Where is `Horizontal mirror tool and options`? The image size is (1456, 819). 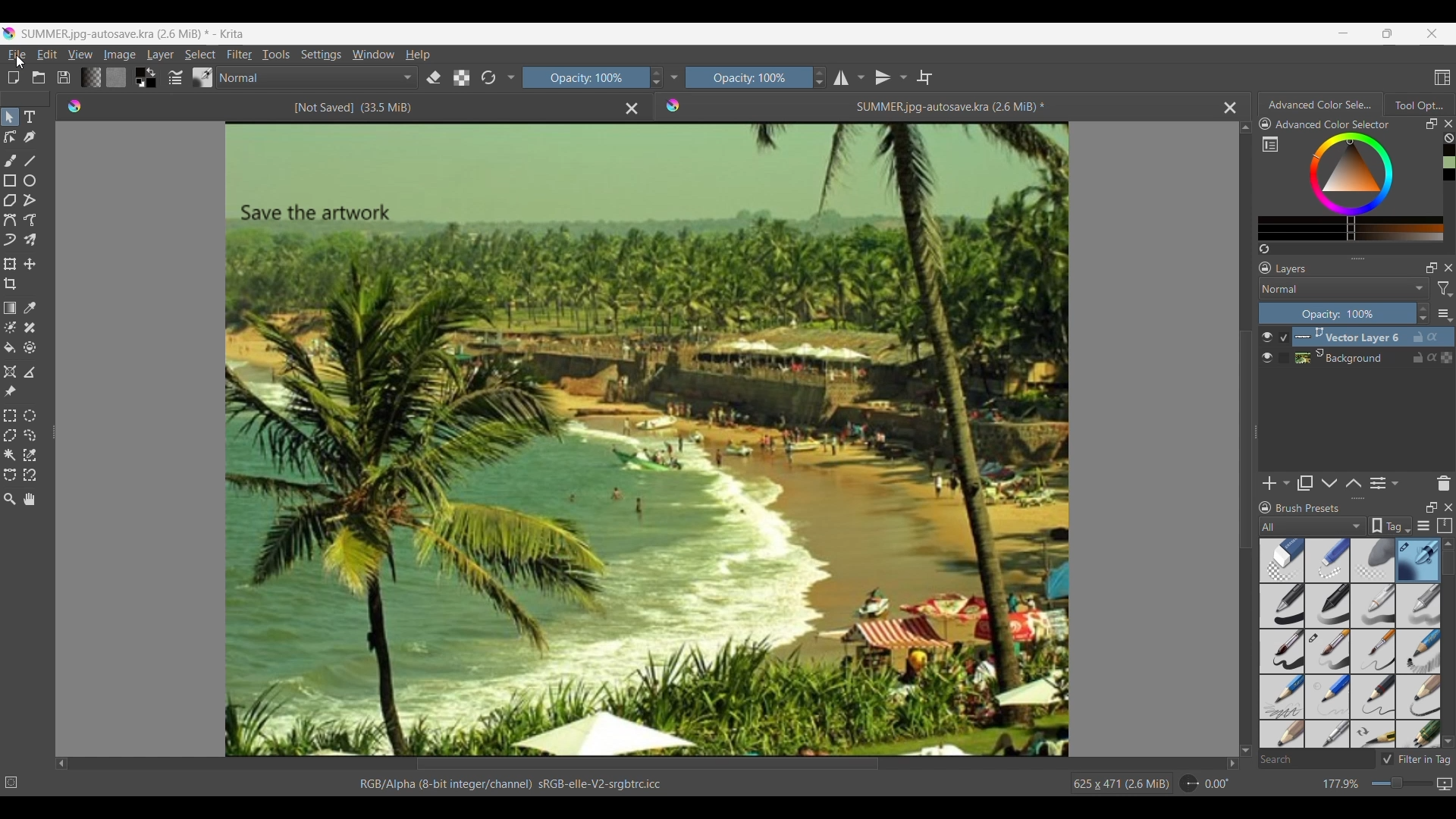
Horizontal mirror tool and options is located at coordinates (849, 77).